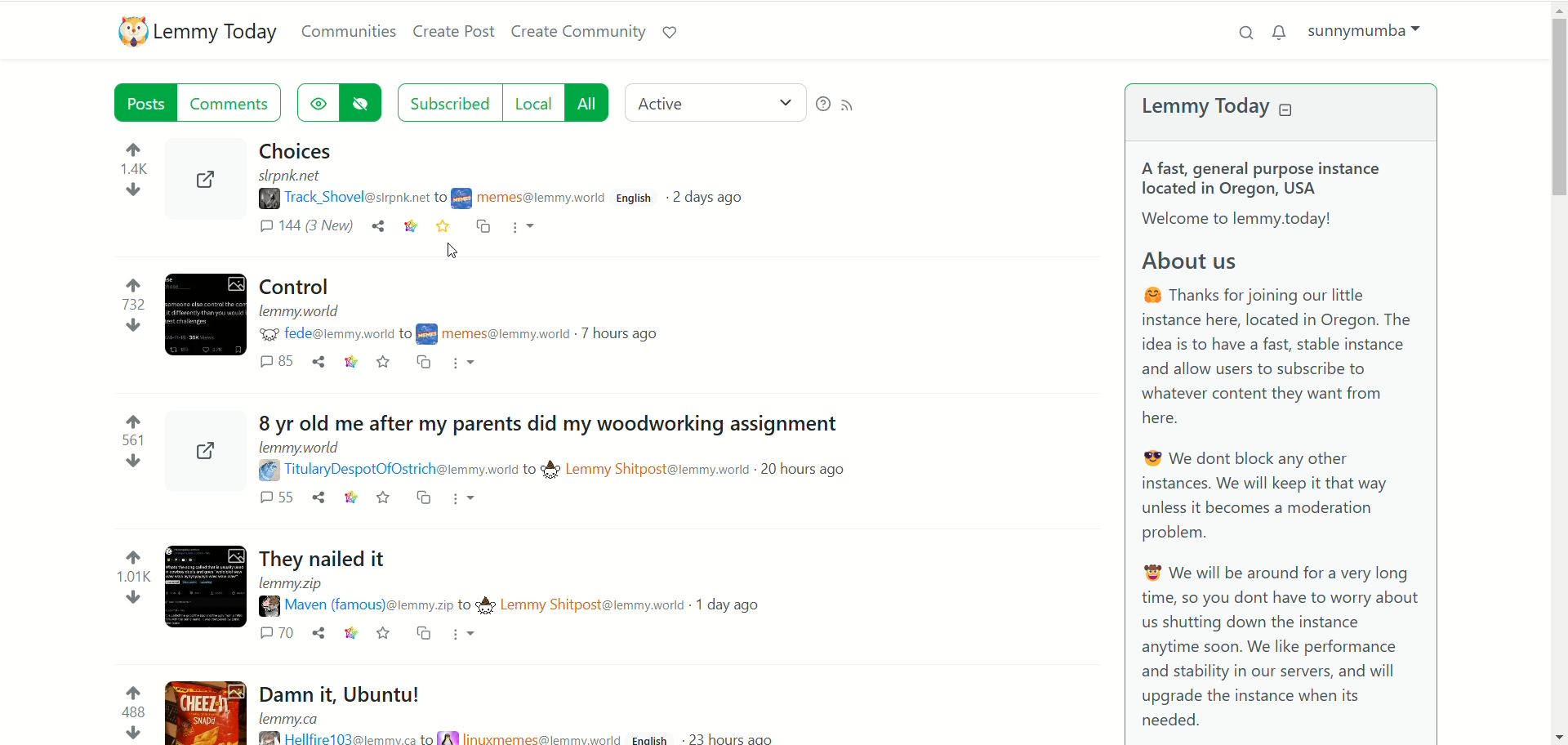  I want to click on link, so click(348, 635).